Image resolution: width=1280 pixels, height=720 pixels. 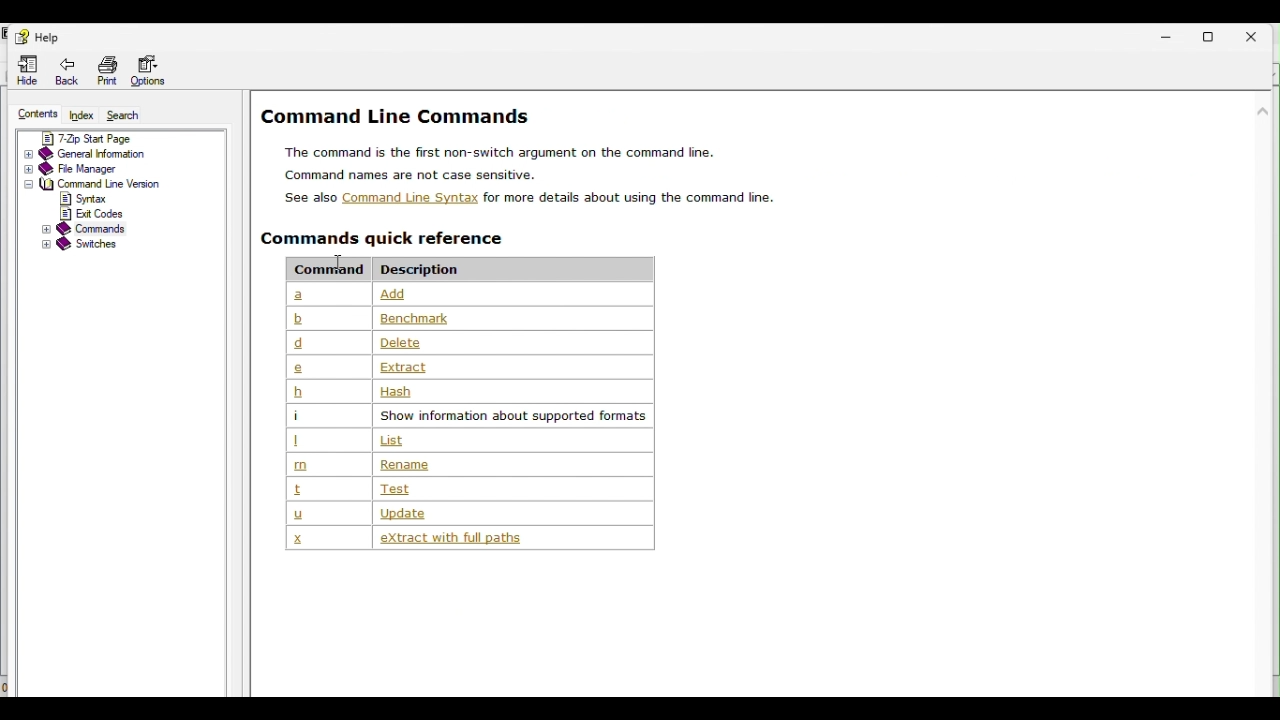 What do you see at coordinates (418, 319) in the screenshot?
I see `description` at bounding box center [418, 319].